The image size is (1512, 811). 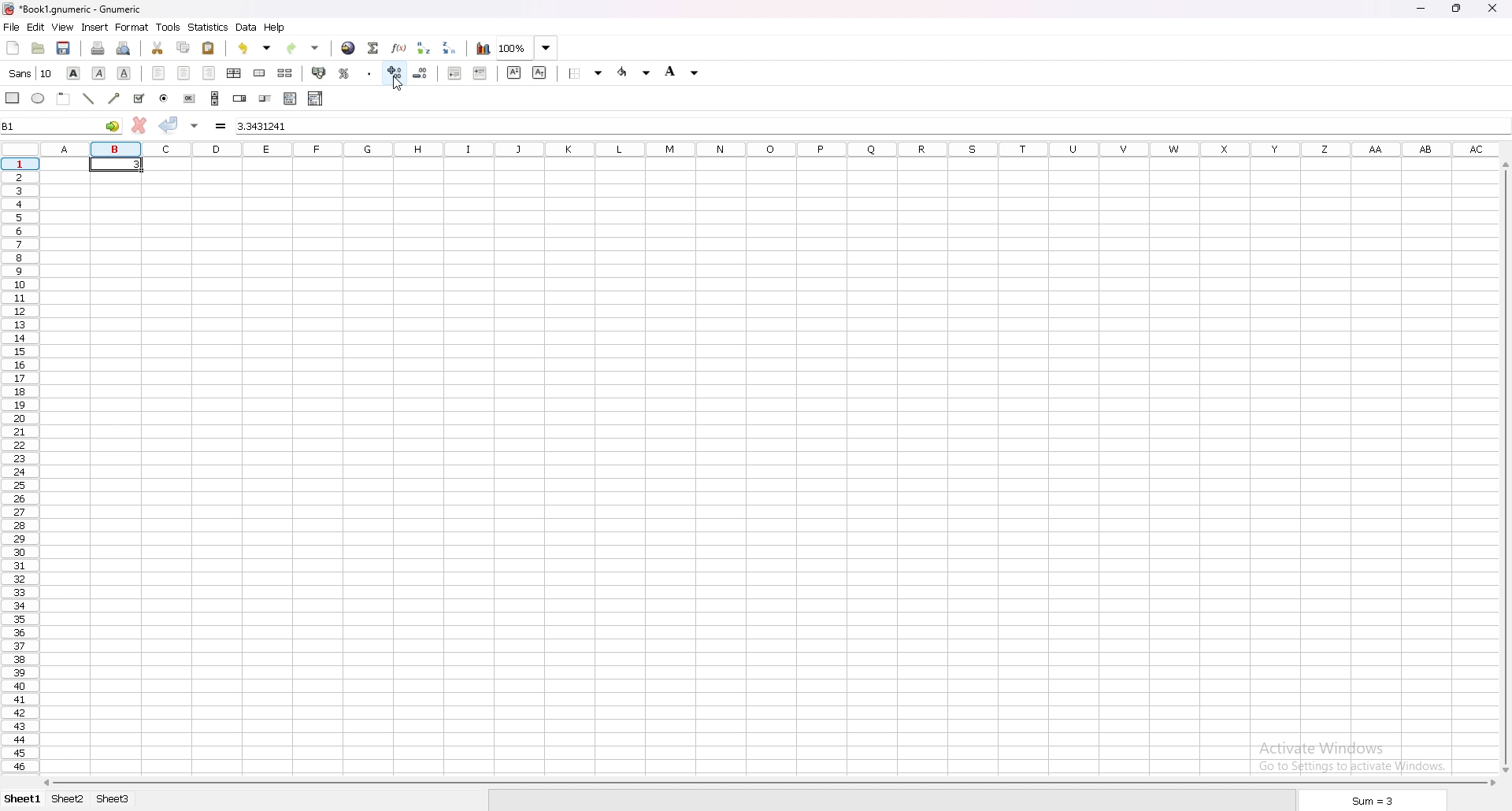 I want to click on rectangle, so click(x=13, y=98).